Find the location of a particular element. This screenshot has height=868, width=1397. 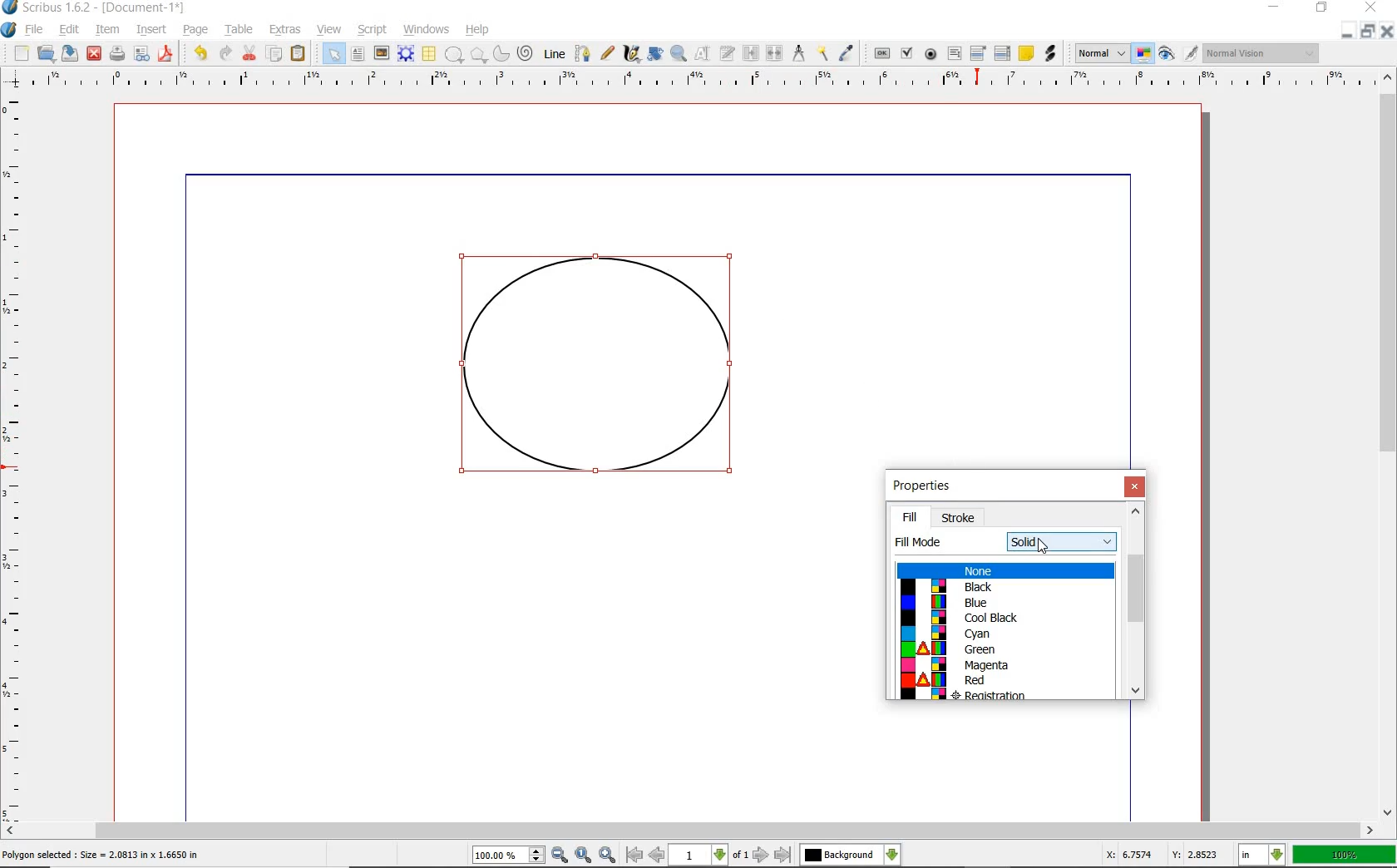

color is located at coordinates (1005, 649).